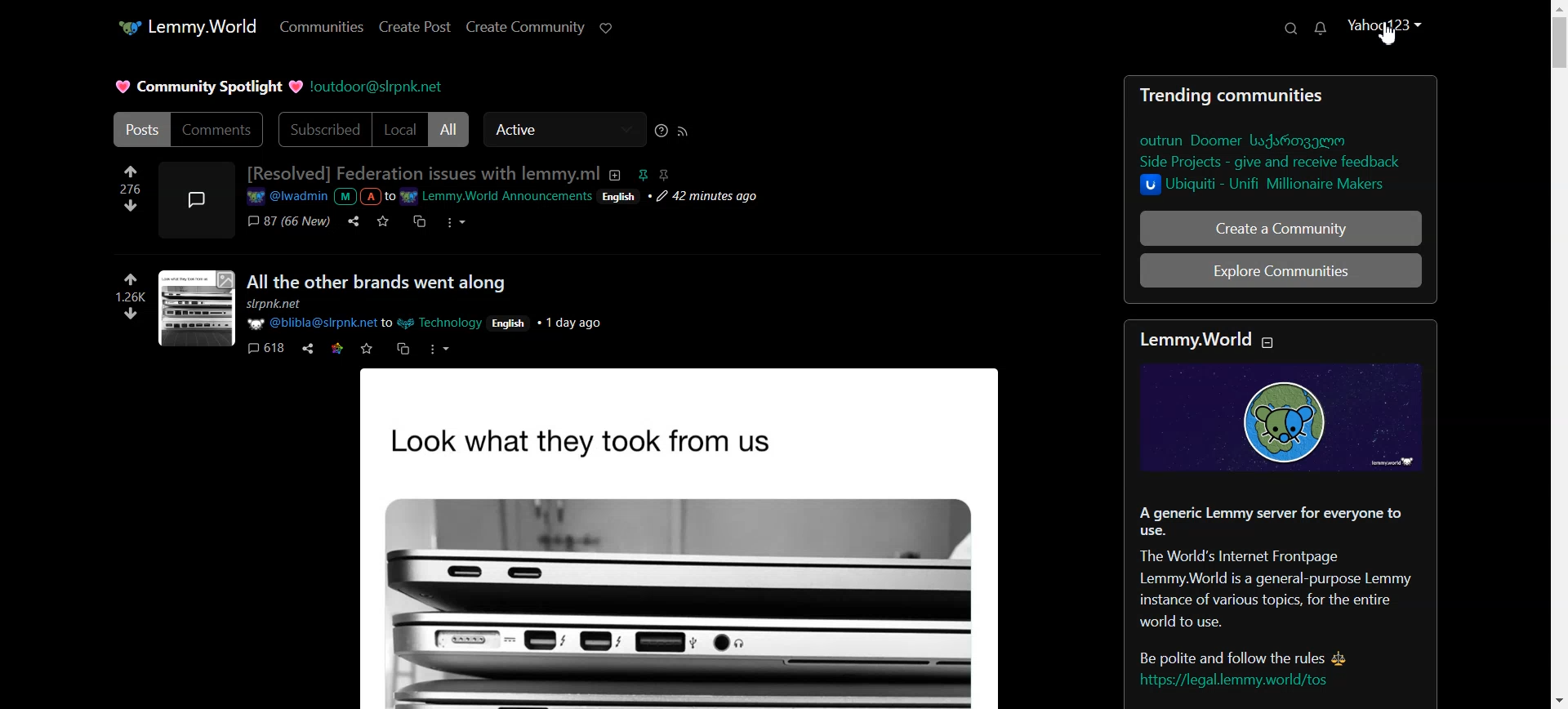 The image size is (1568, 709). I want to click on Text, so click(1281, 515).